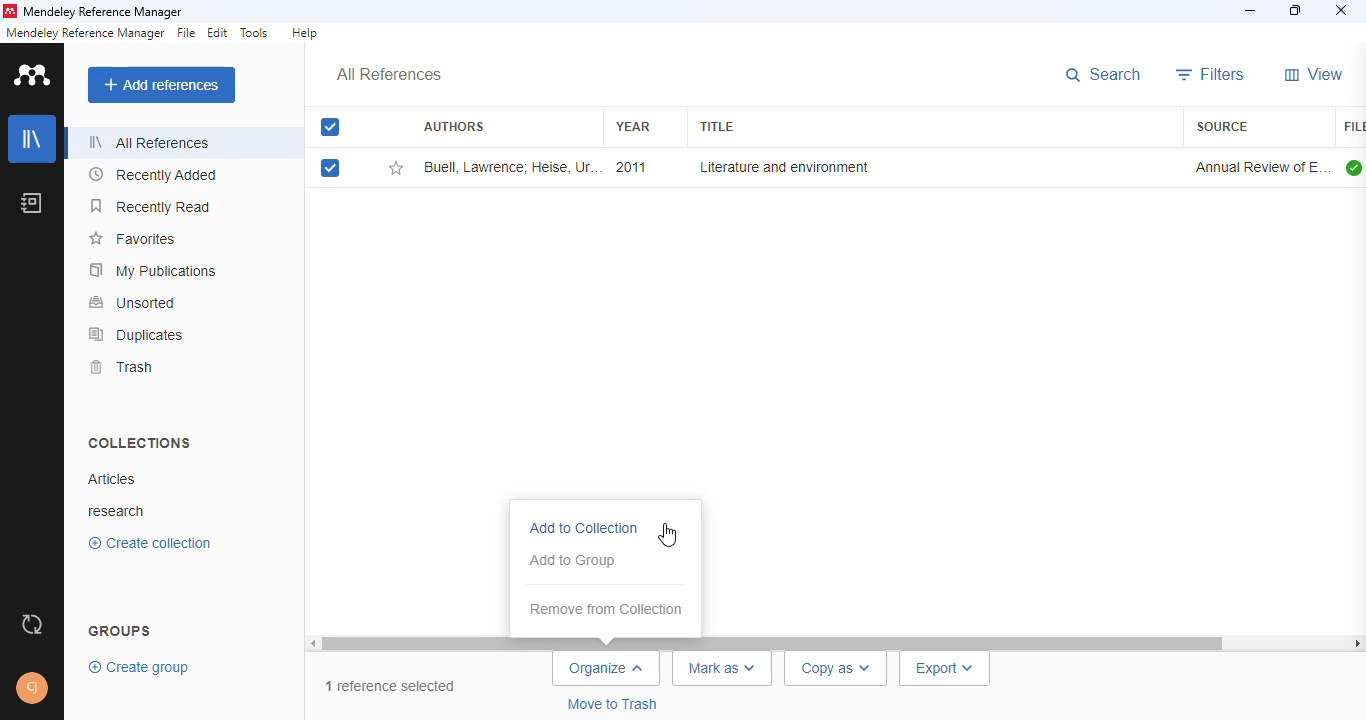  What do you see at coordinates (150, 206) in the screenshot?
I see `recently read` at bounding box center [150, 206].